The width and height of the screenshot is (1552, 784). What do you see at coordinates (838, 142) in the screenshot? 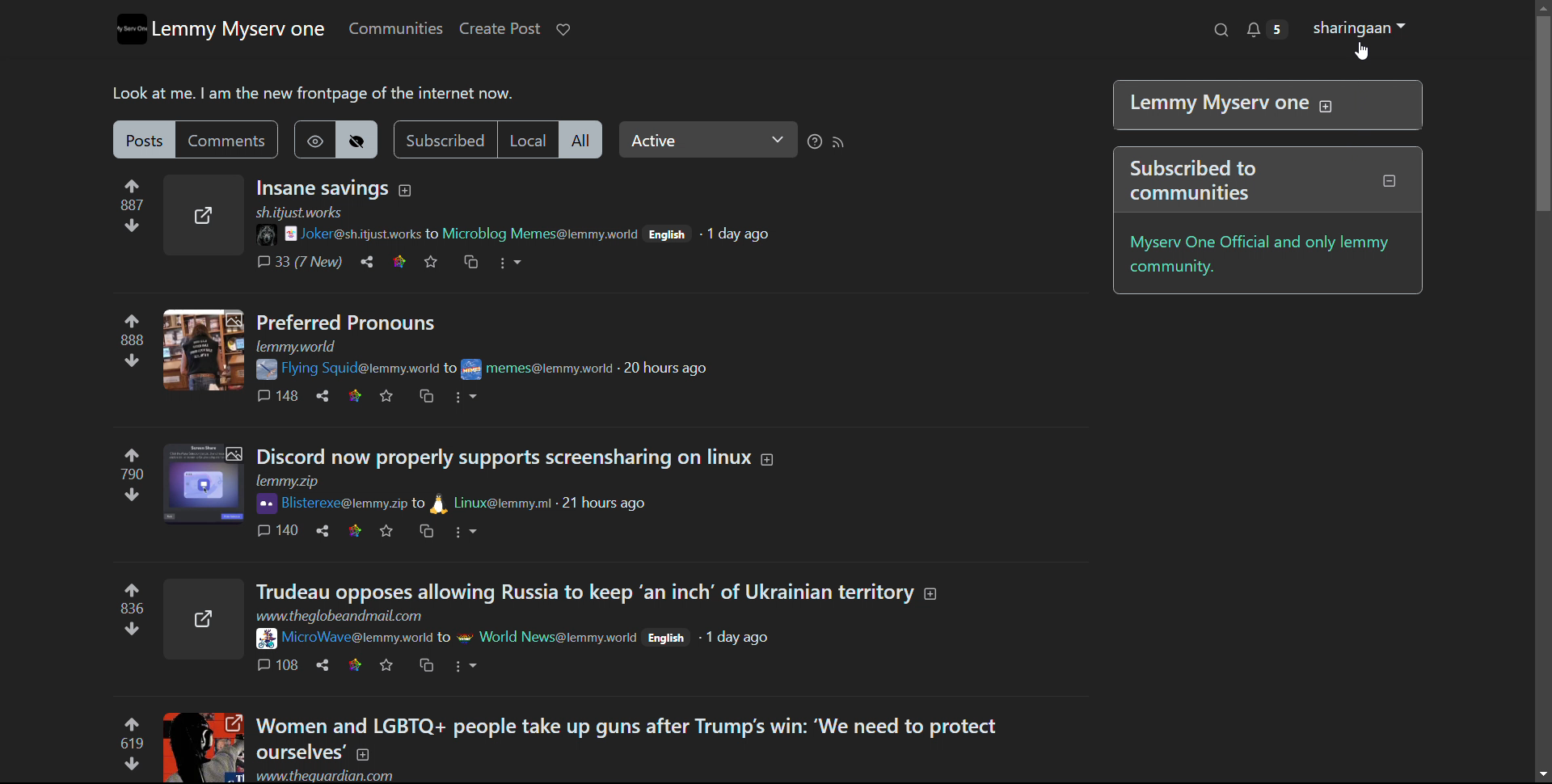
I see `rss` at bounding box center [838, 142].